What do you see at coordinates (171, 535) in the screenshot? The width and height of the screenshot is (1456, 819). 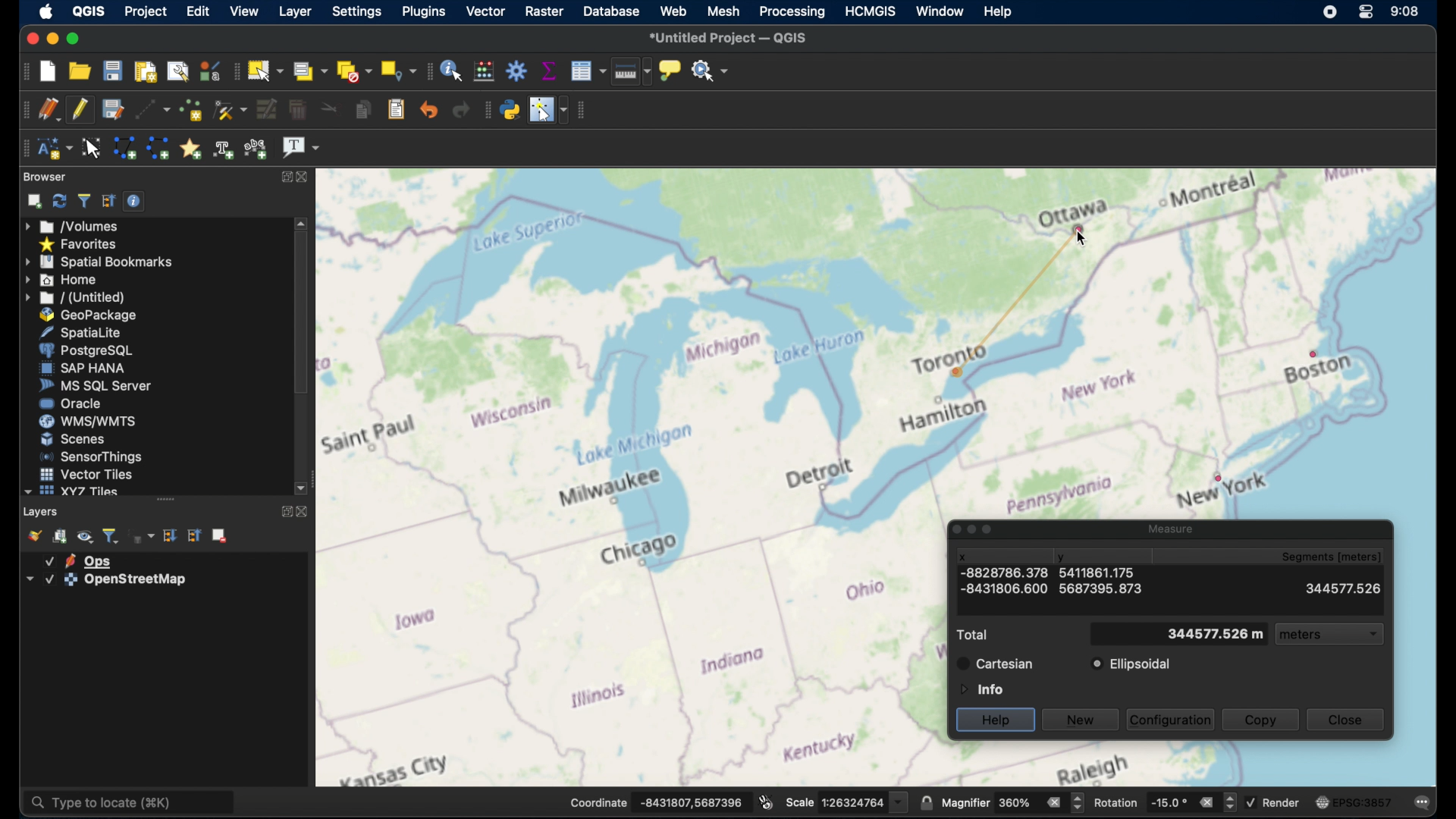 I see `expand all` at bounding box center [171, 535].